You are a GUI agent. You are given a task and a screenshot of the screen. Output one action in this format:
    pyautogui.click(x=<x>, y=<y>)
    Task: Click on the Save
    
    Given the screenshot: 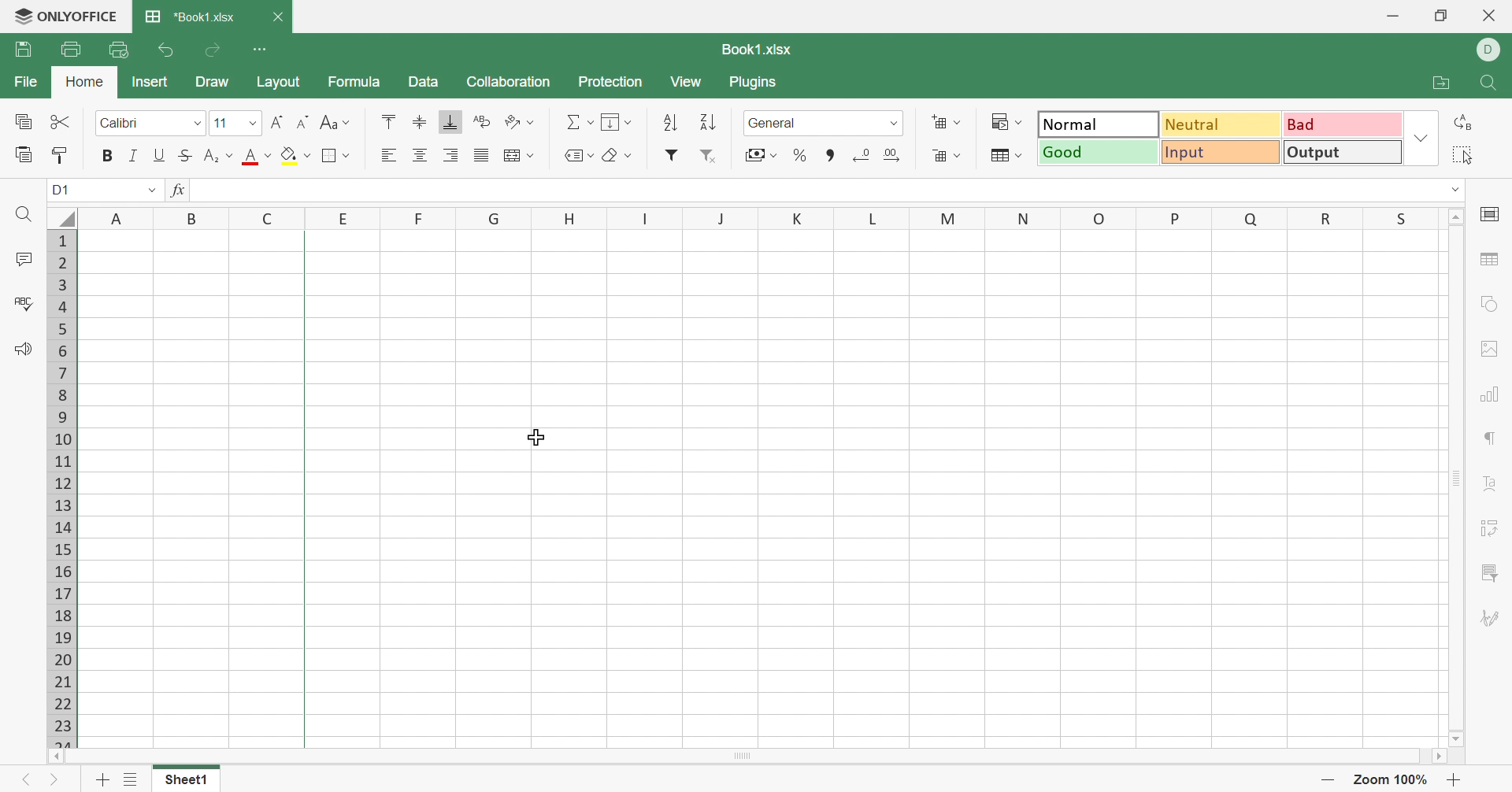 What is the action you would take?
    pyautogui.click(x=24, y=50)
    